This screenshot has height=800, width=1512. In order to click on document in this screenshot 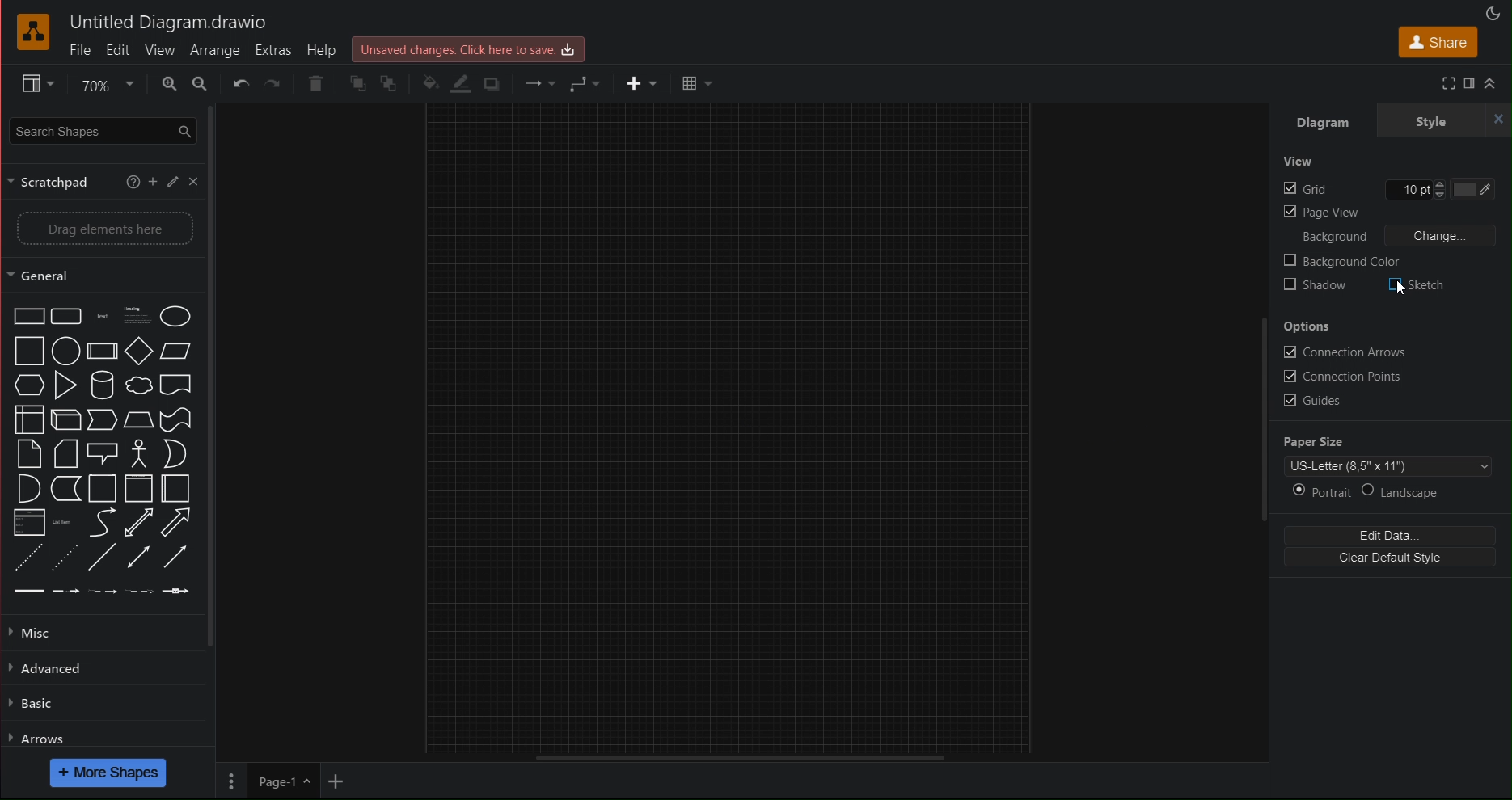, I will do `click(178, 387)`.